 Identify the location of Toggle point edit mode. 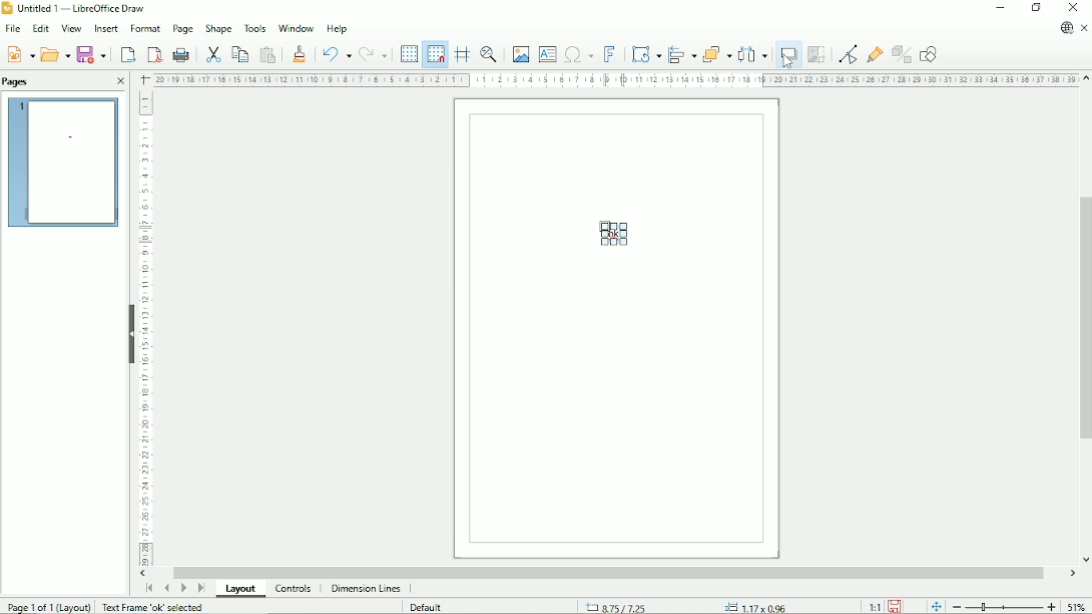
(848, 55).